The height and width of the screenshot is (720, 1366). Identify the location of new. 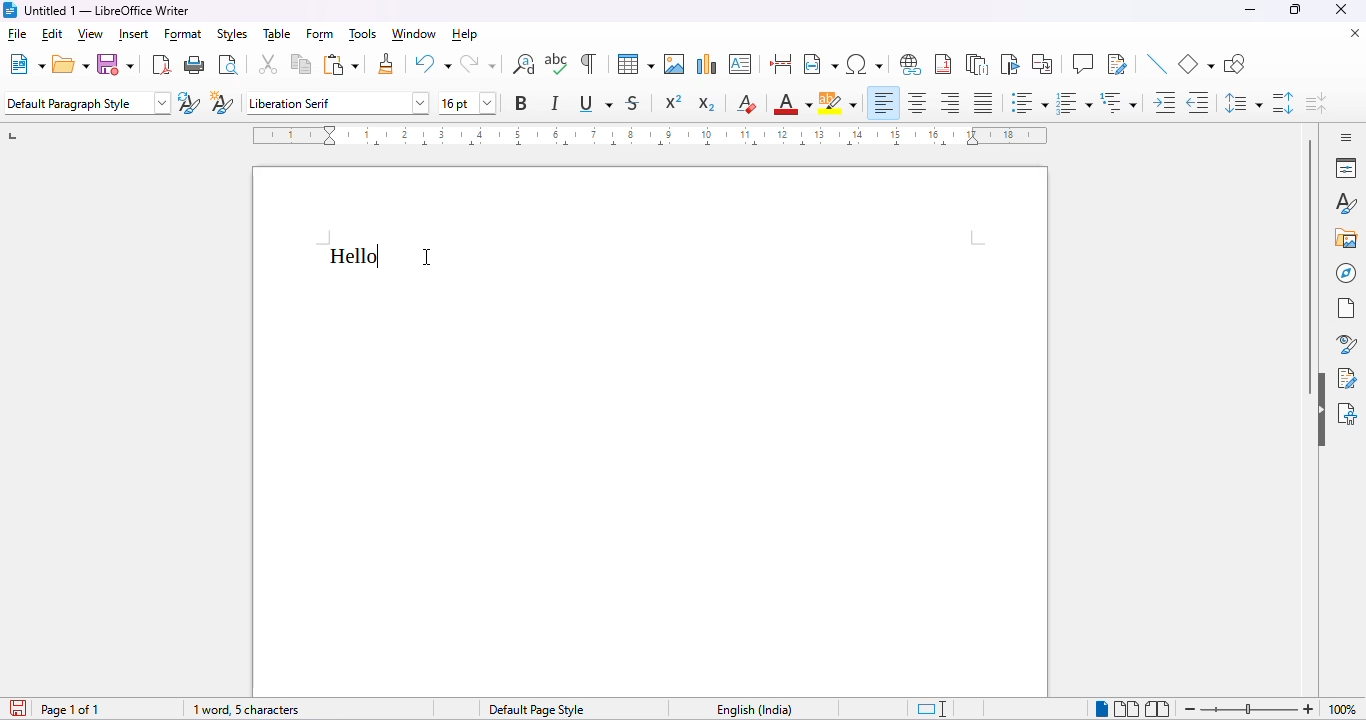
(26, 64).